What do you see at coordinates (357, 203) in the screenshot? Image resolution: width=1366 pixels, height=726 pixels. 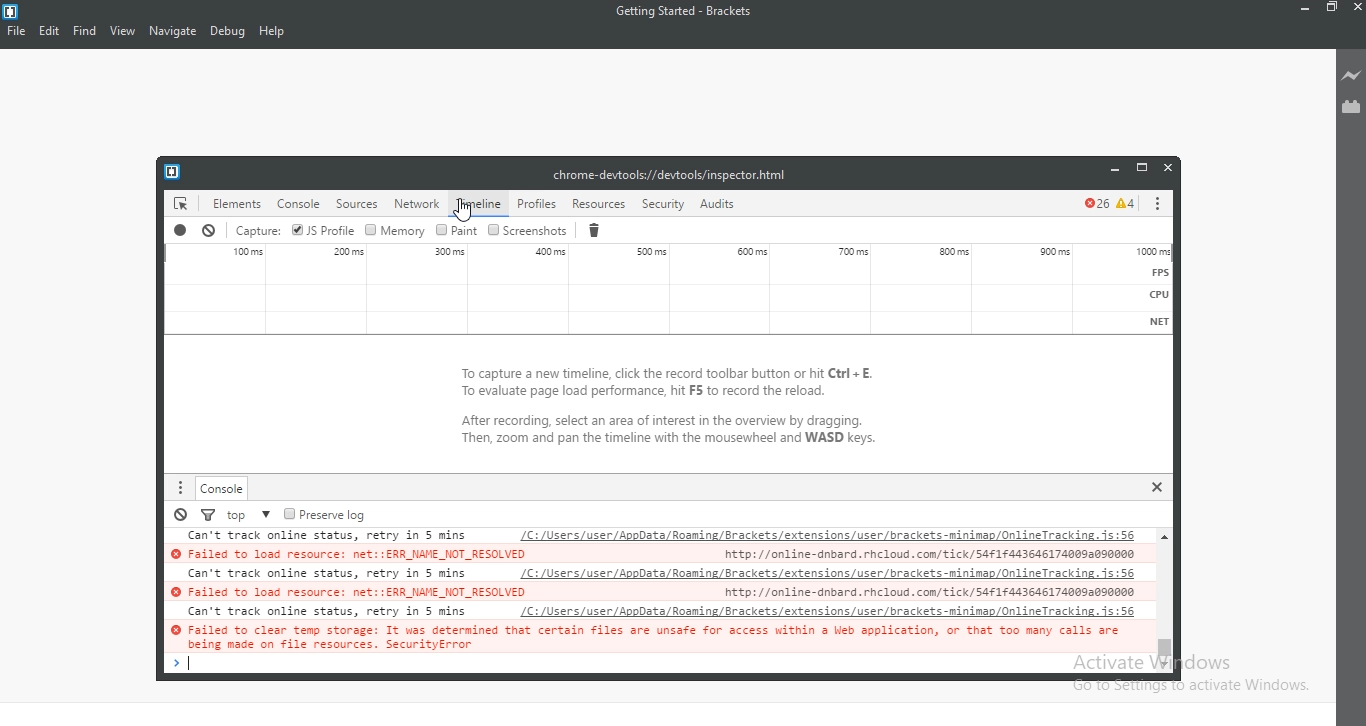 I see `sources` at bounding box center [357, 203].